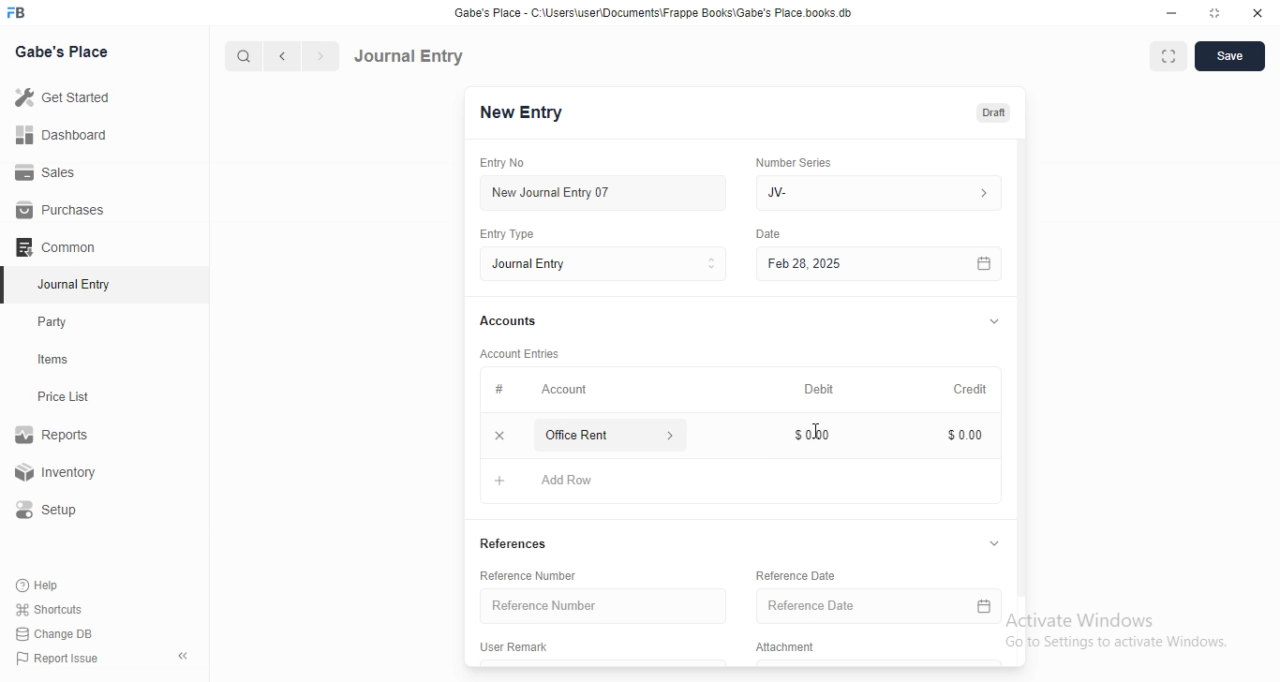 The height and width of the screenshot is (682, 1280). Describe the element at coordinates (770, 233) in the screenshot. I see `Date` at that location.